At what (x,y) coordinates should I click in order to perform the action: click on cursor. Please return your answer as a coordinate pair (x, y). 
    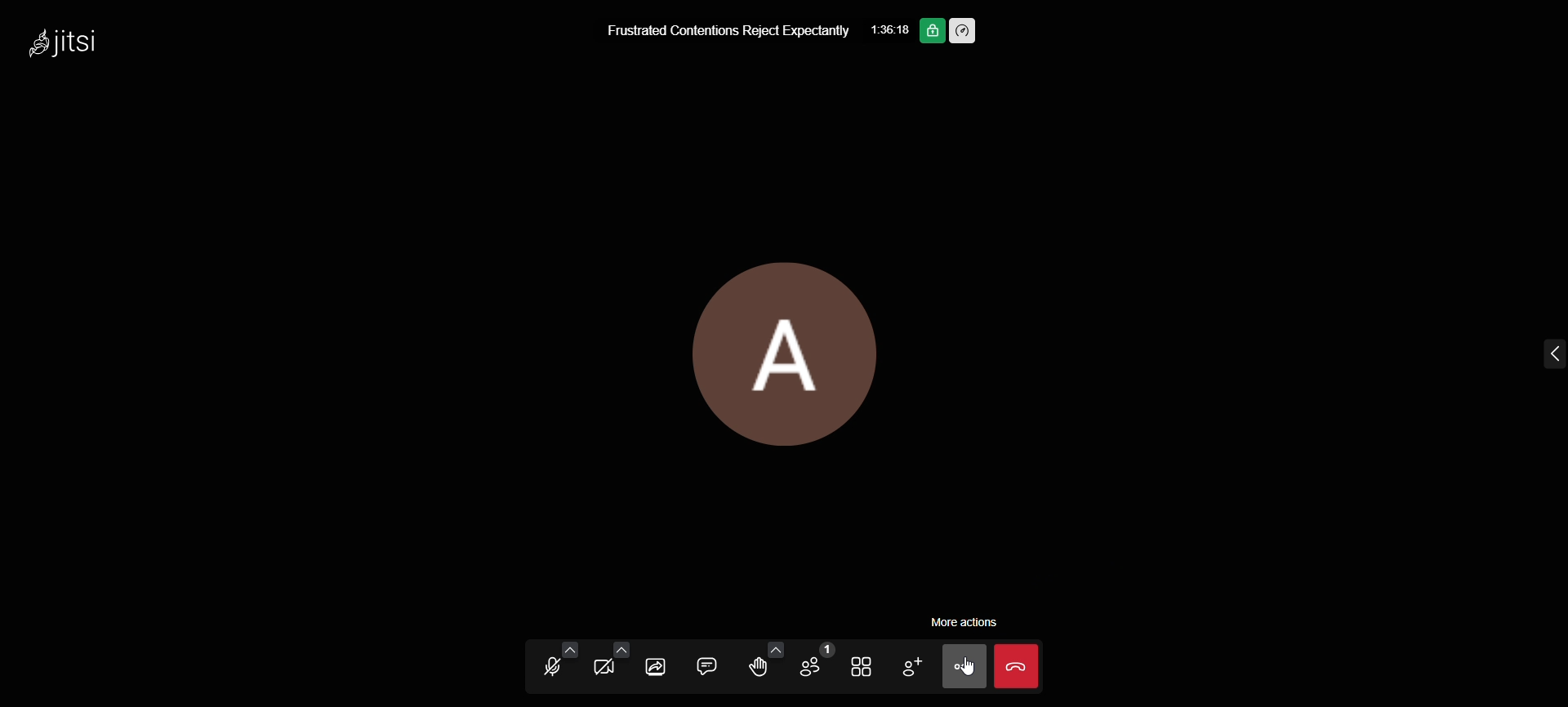
    Looking at the image, I should click on (973, 677).